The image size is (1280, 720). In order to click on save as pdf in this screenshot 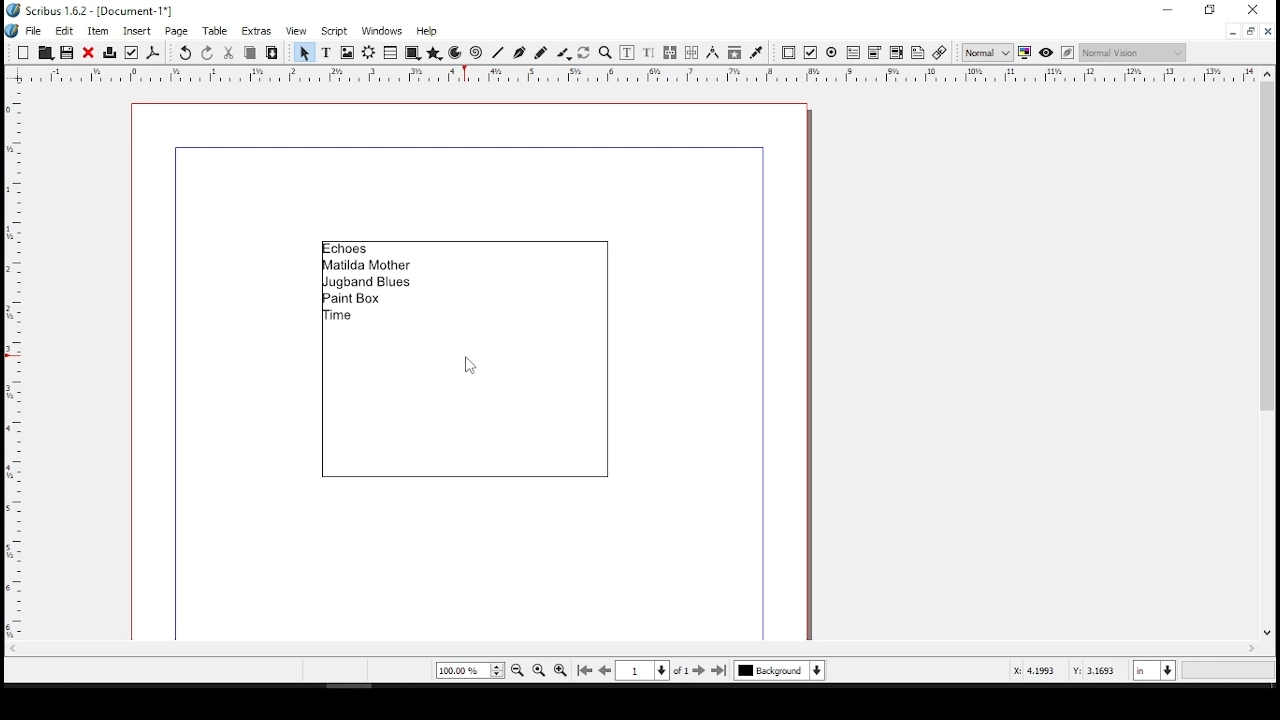, I will do `click(154, 53)`.